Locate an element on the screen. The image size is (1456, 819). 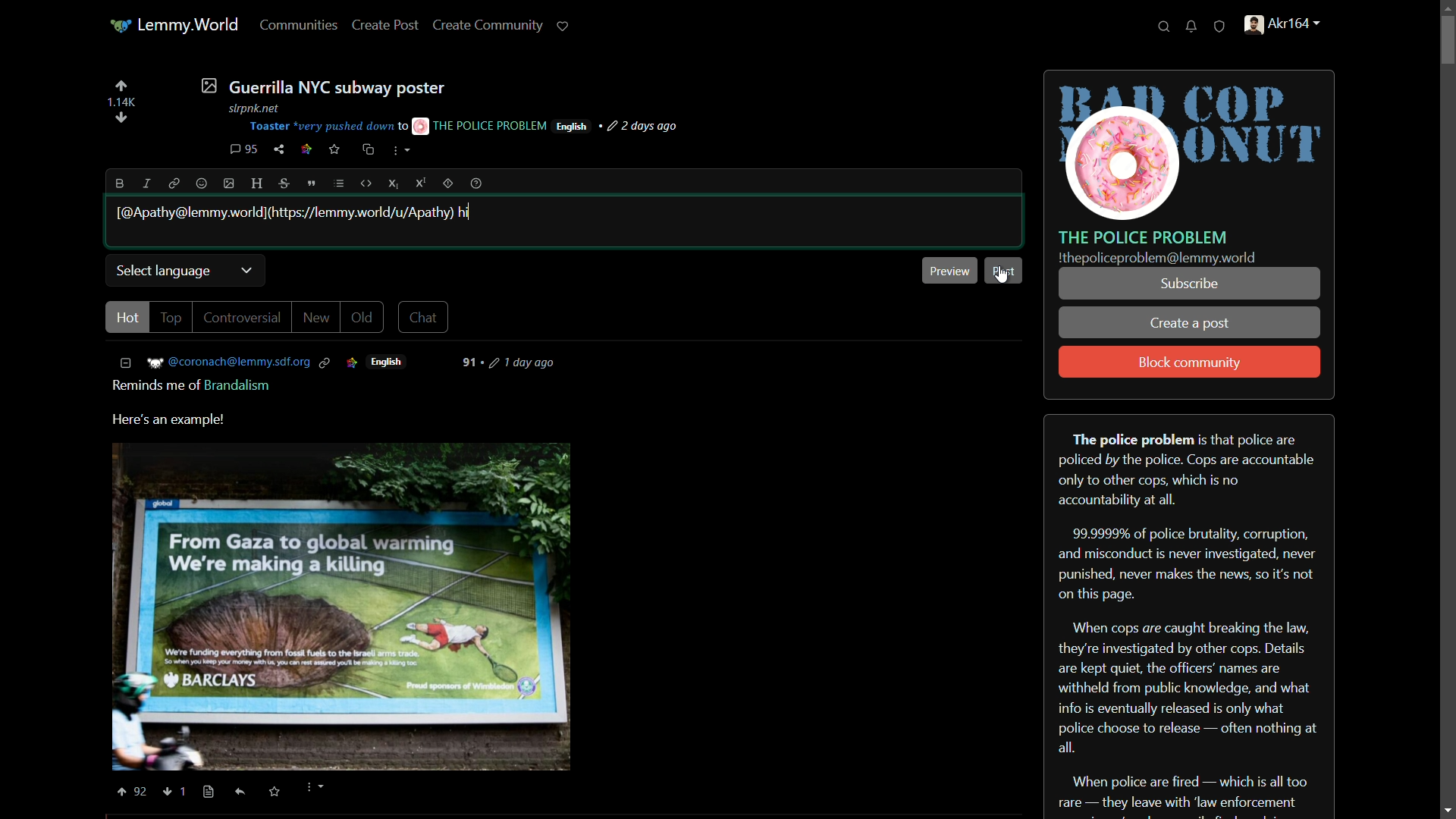
Toaster "very pushed down t0 is located at coordinates (328, 127).